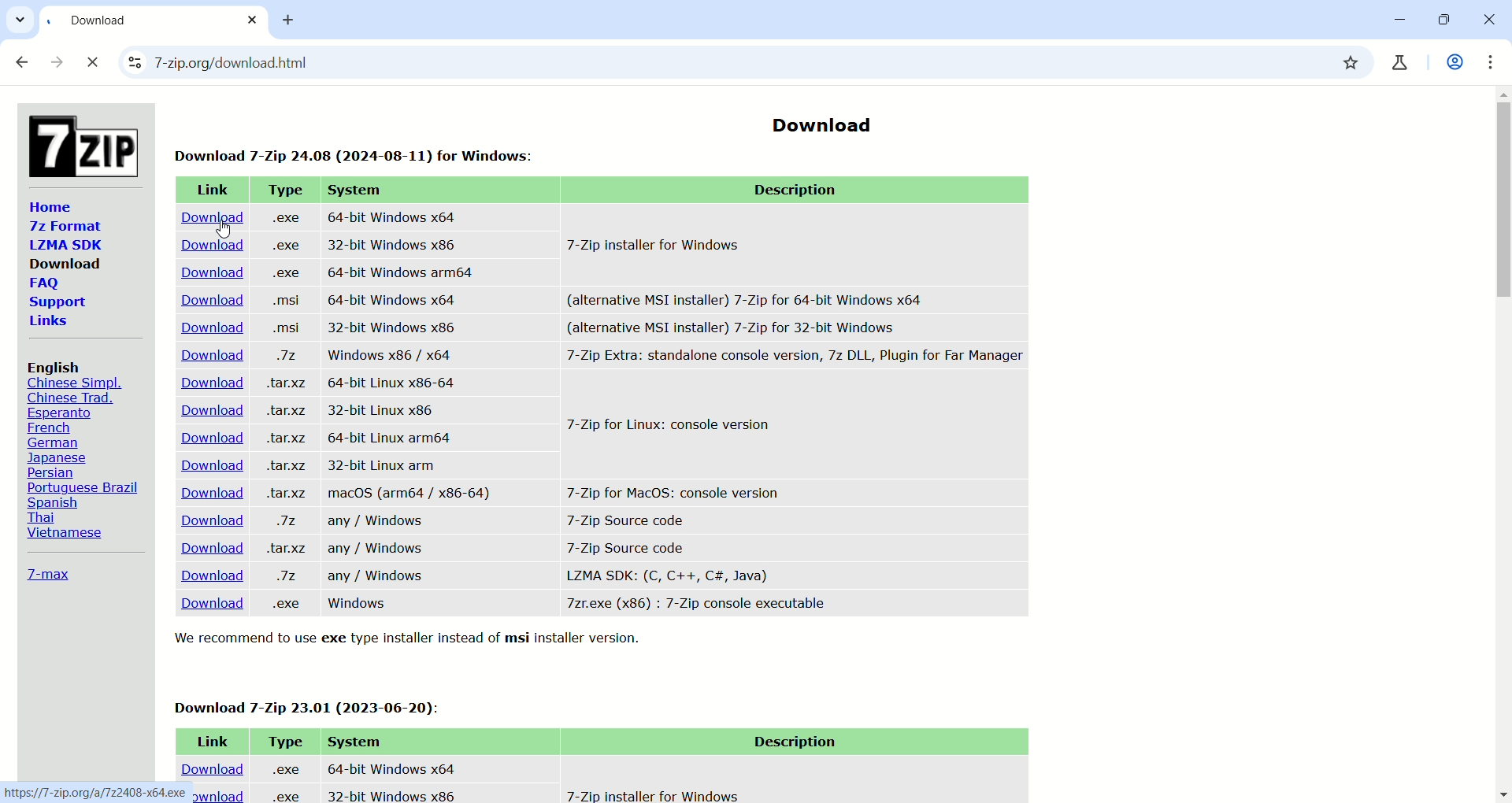 This screenshot has height=803, width=1512. I want to click on .exe, so click(284, 767).